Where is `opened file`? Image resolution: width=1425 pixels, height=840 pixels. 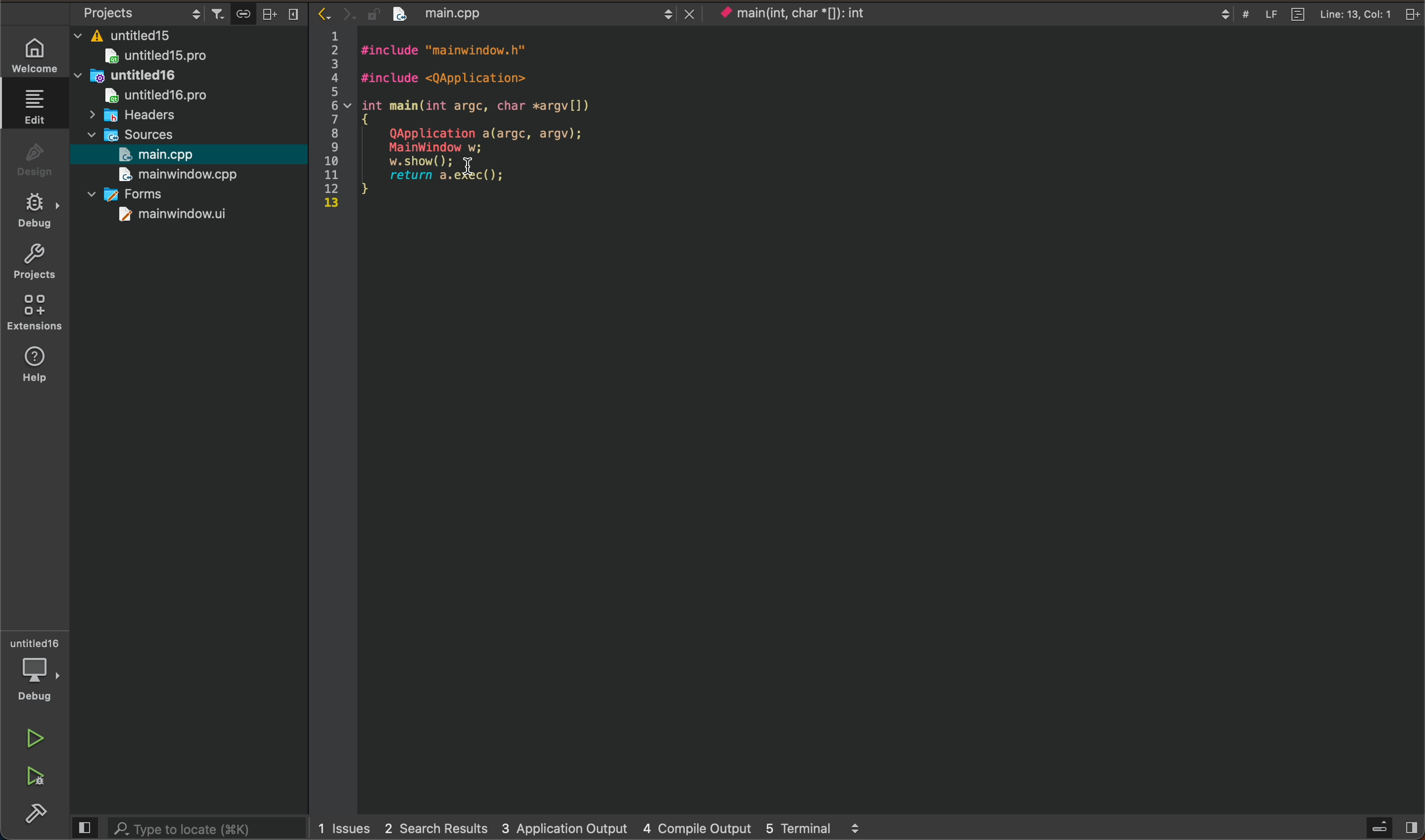
opened file is located at coordinates (540, 14).